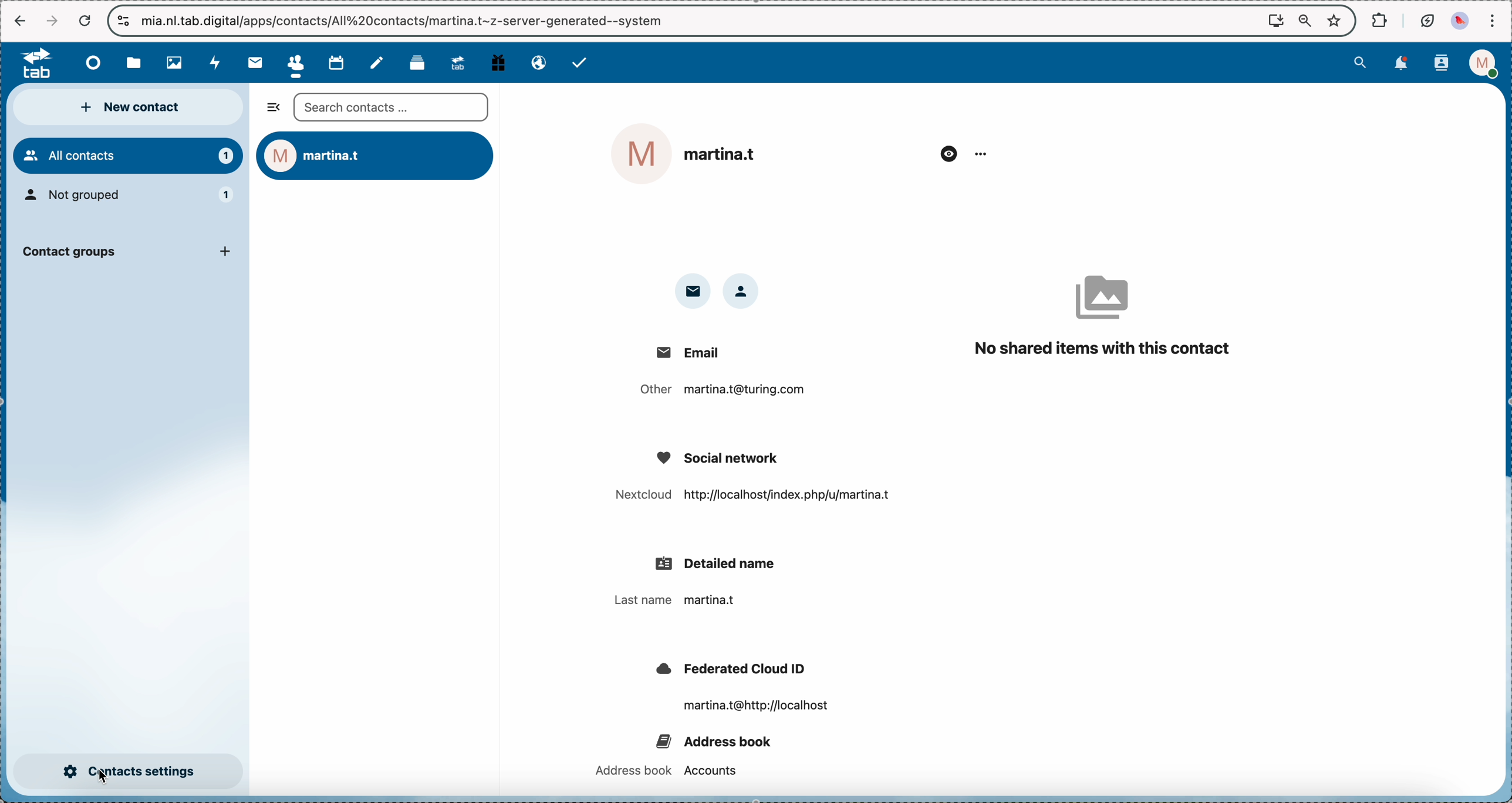 Image resolution: width=1512 pixels, height=803 pixels. Describe the element at coordinates (1483, 63) in the screenshot. I see `profile` at that location.